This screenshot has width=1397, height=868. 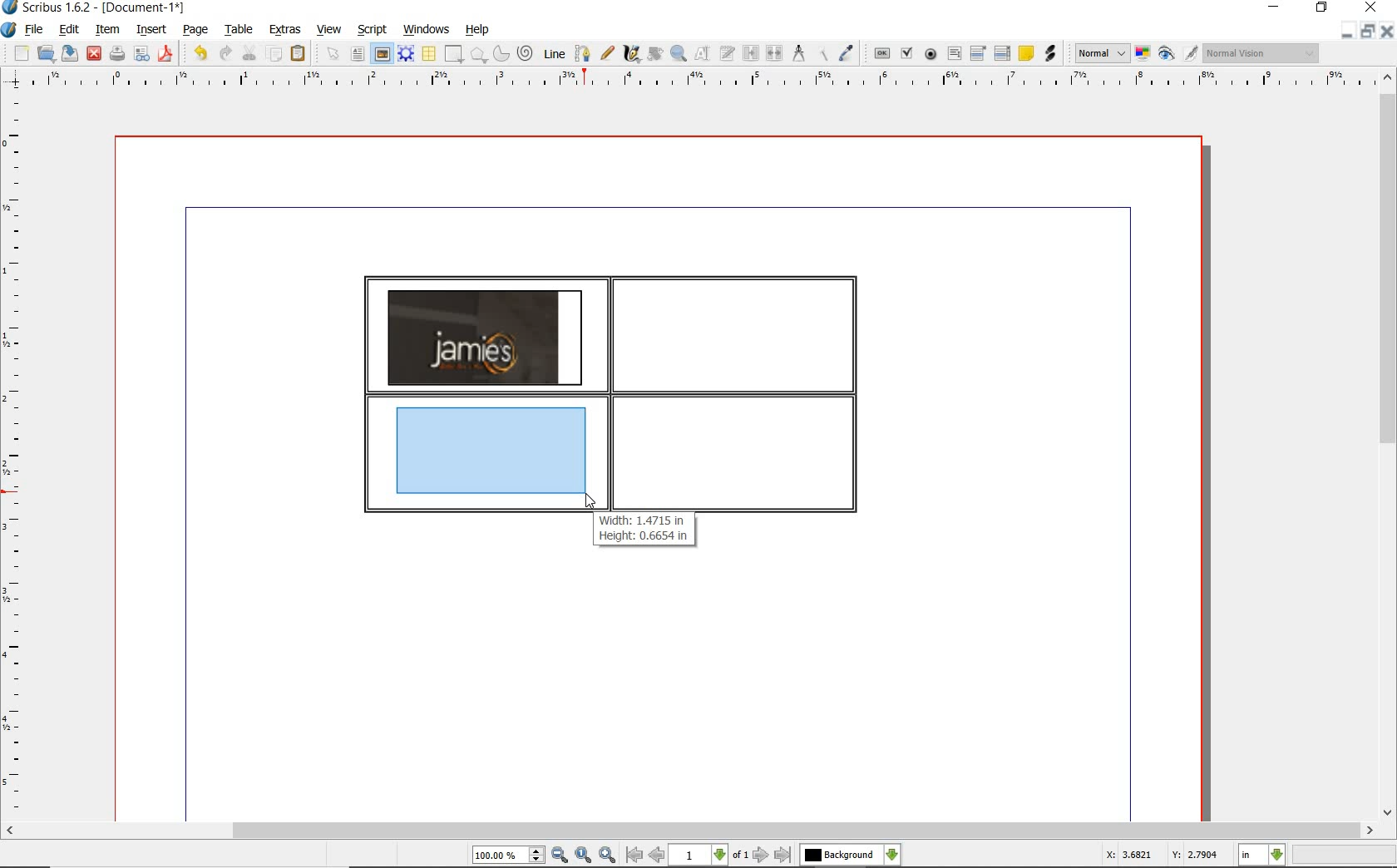 What do you see at coordinates (298, 53) in the screenshot?
I see `paste` at bounding box center [298, 53].